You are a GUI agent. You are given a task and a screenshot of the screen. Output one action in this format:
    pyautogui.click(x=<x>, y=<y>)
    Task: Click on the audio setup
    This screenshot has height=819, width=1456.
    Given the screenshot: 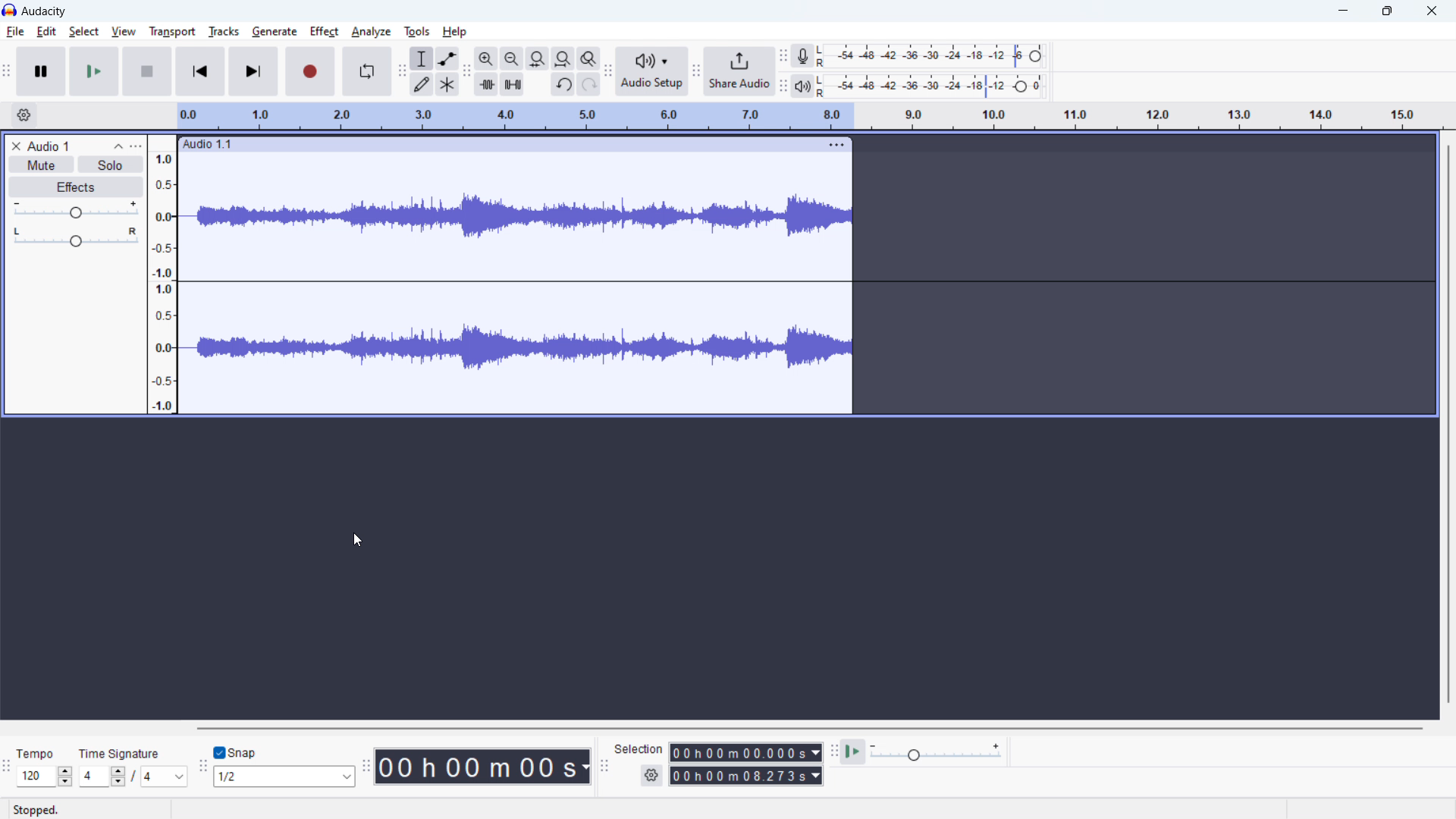 What is the action you would take?
    pyautogui.click(x=653, y=72)
    